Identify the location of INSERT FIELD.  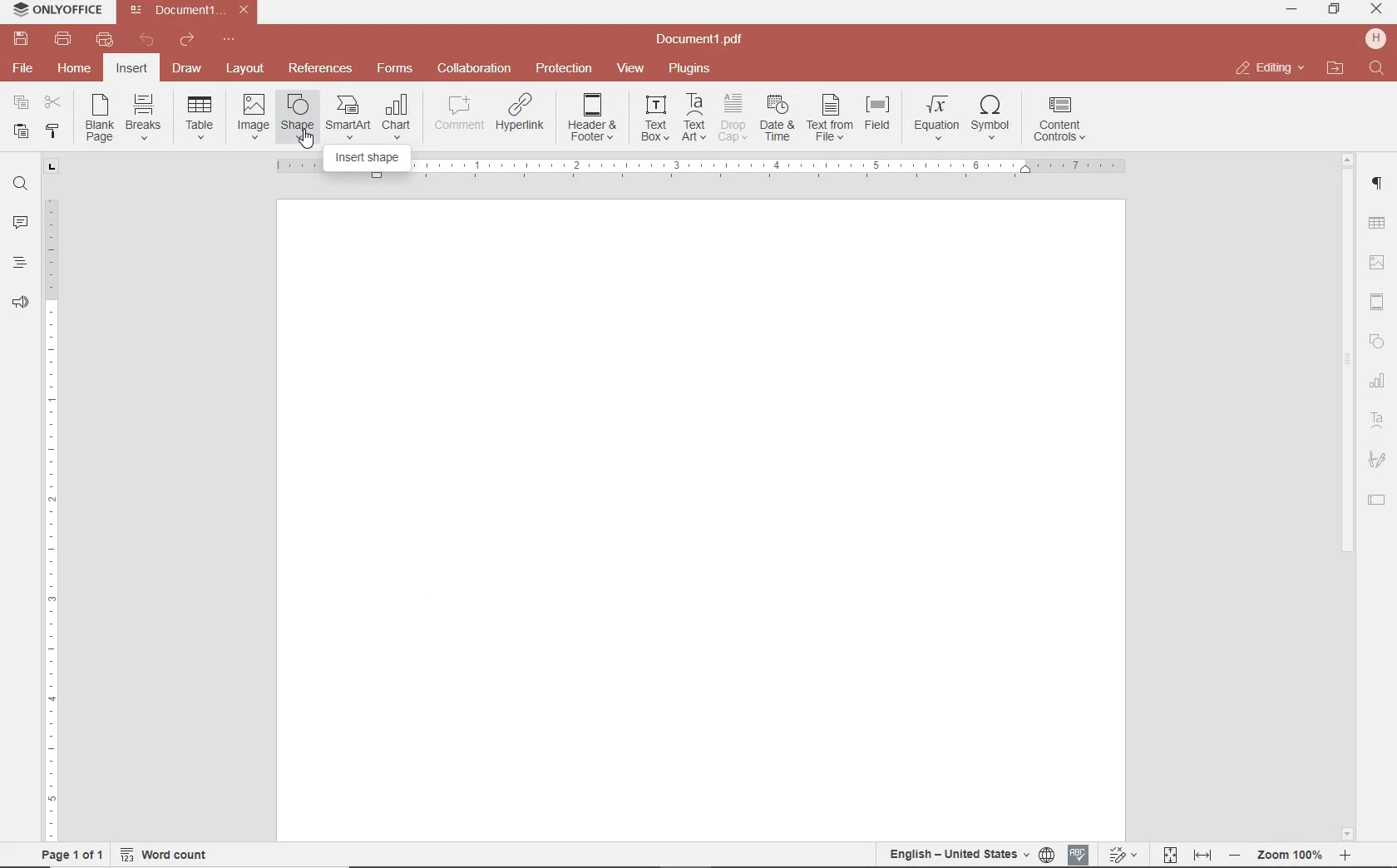
(879, 113).